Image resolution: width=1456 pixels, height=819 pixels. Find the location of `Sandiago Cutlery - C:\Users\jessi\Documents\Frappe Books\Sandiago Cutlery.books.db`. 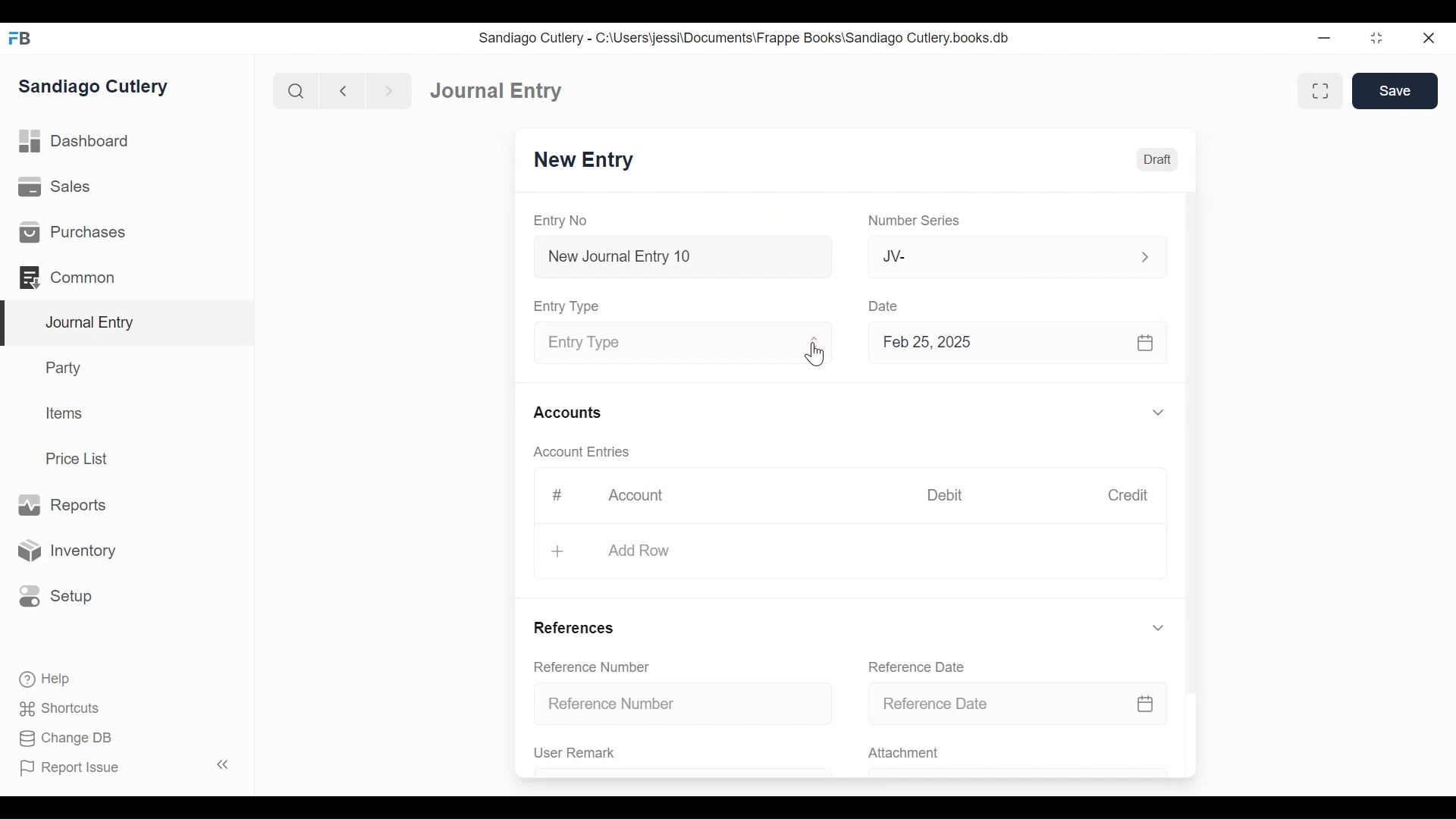

Sandiago Cutlery - C:\Users\jessi\Documents\Frappe Books\Sandiago Cutlery.books.db is located at coordinates (747, 39).